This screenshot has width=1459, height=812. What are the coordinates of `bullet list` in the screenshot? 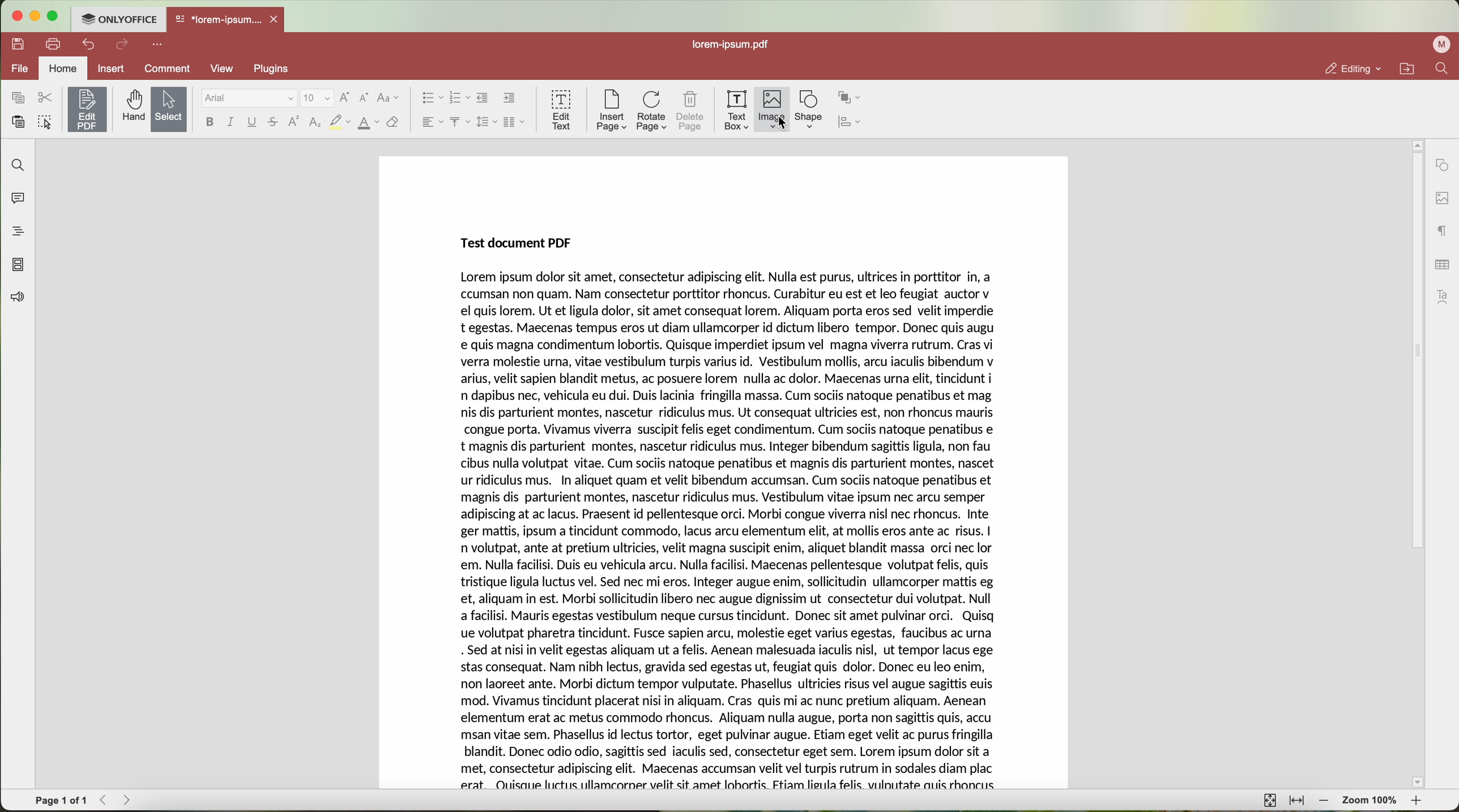 It's located at (429, 99).